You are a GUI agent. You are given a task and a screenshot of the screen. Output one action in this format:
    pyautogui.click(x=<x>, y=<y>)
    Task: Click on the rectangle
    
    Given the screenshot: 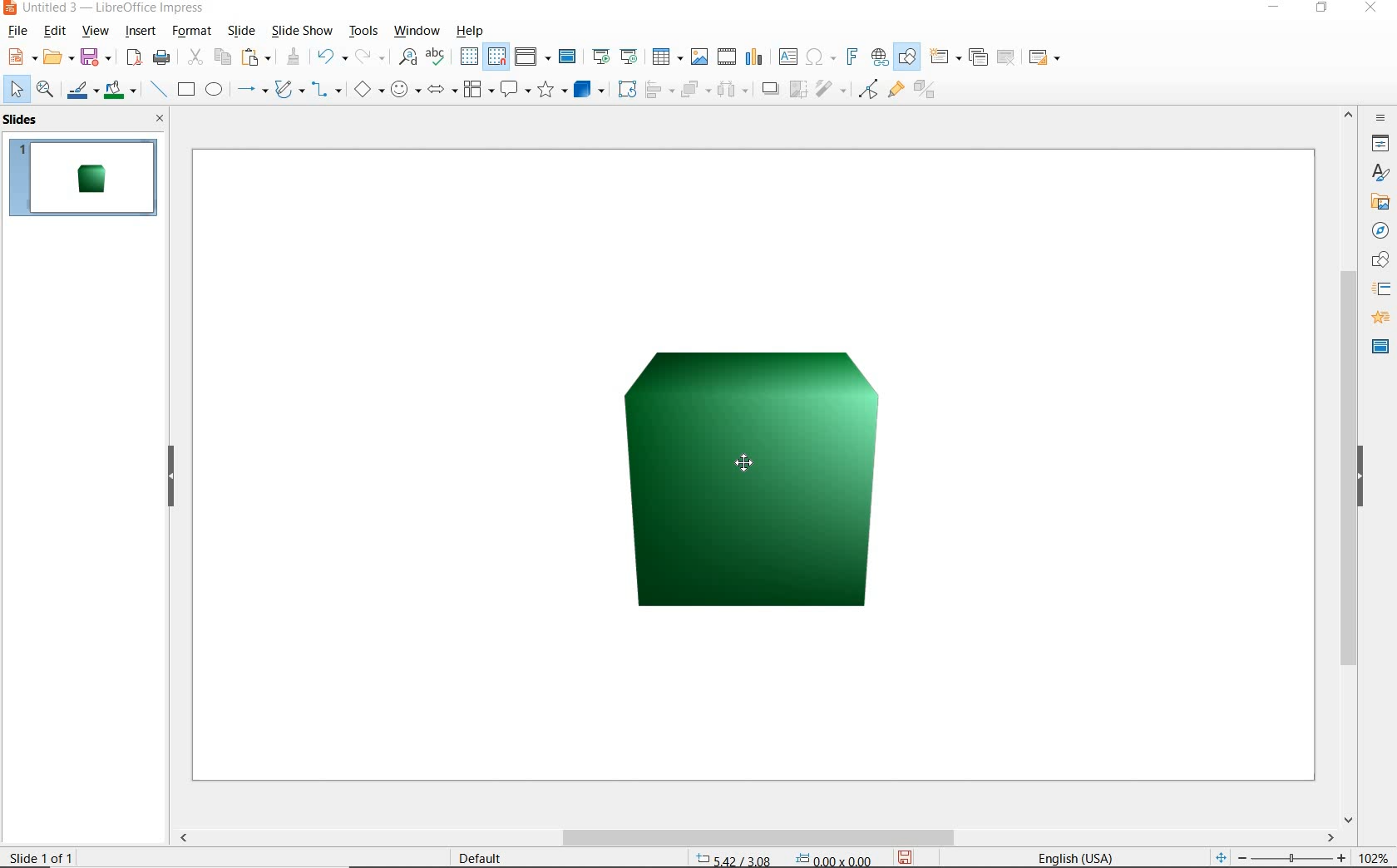 What is the action you would take?
    pyautogui.click(x=185, y=90)
    